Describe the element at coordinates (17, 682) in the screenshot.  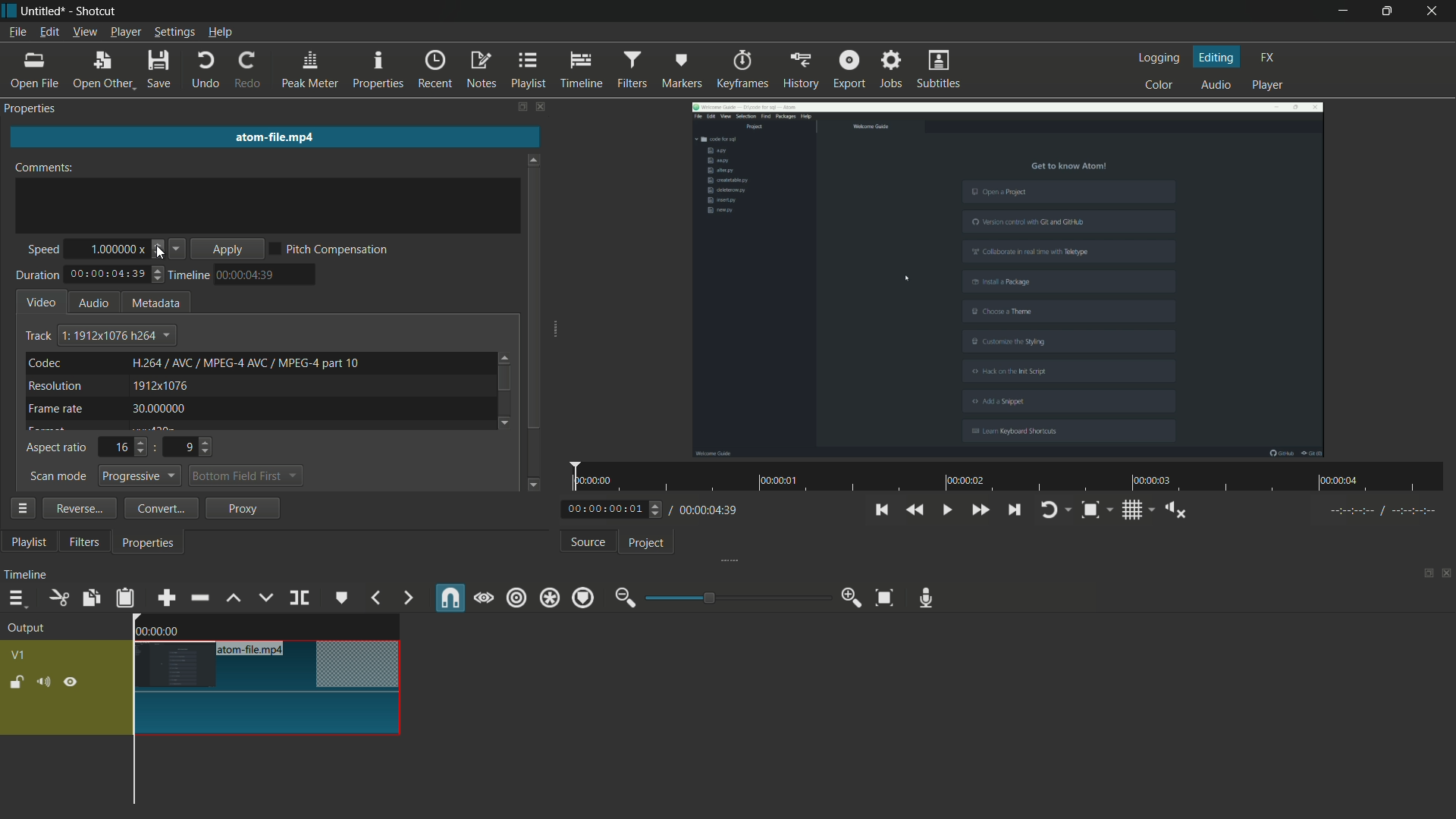
I see `lock` at that location.